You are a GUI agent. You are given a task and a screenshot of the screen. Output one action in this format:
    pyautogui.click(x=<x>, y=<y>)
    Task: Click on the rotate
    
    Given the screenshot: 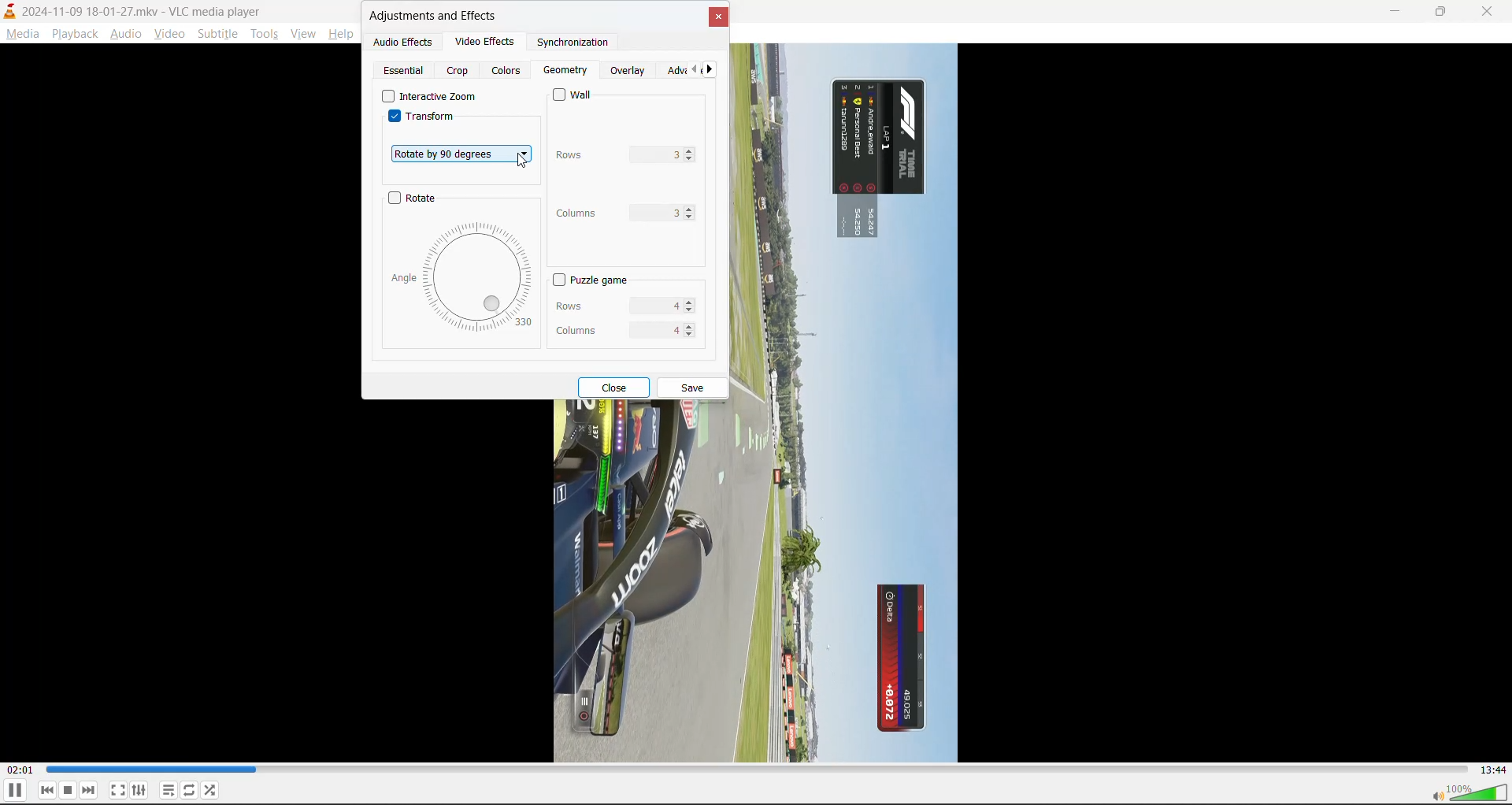 What is the action you would take?
    pyautogui.click(x=414, y=199)
    